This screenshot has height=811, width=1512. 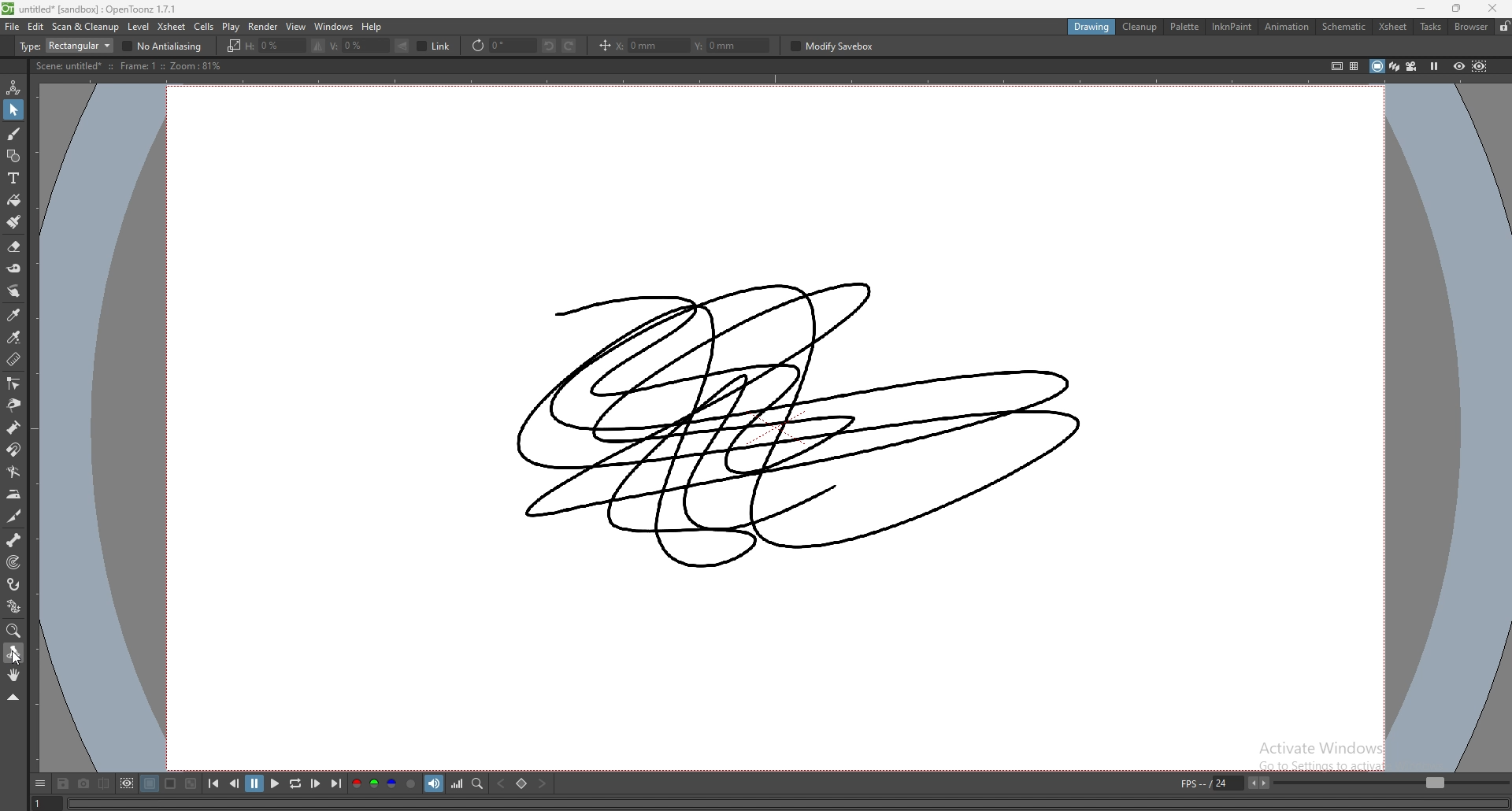 What do you see at coordinates (42, 803) in the screenshot?
I see `1` at bounding box center [42, 803].